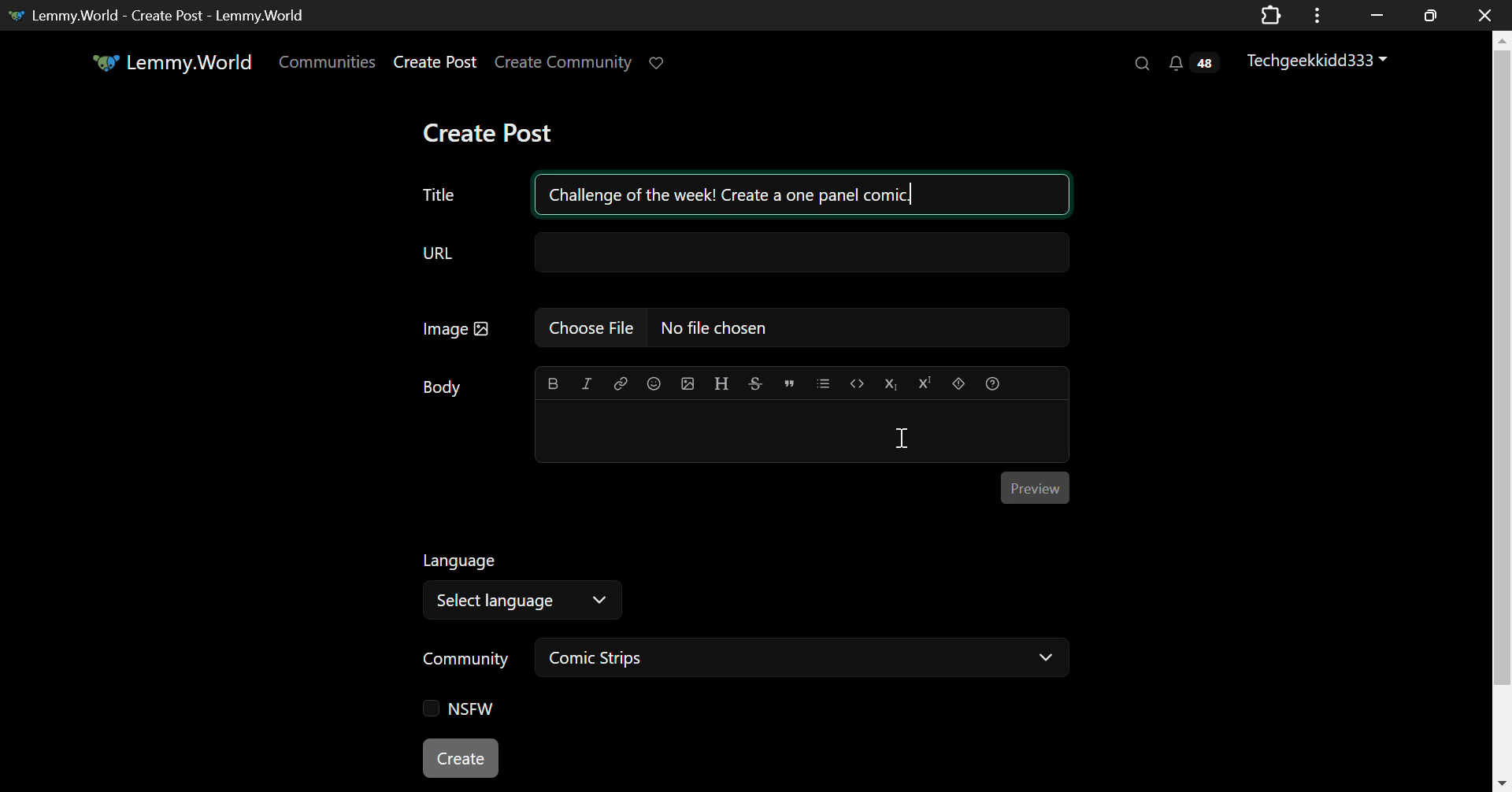 This screenshot has height=792, width=1512. I want to click on Comic Strips, so click(806, 660).